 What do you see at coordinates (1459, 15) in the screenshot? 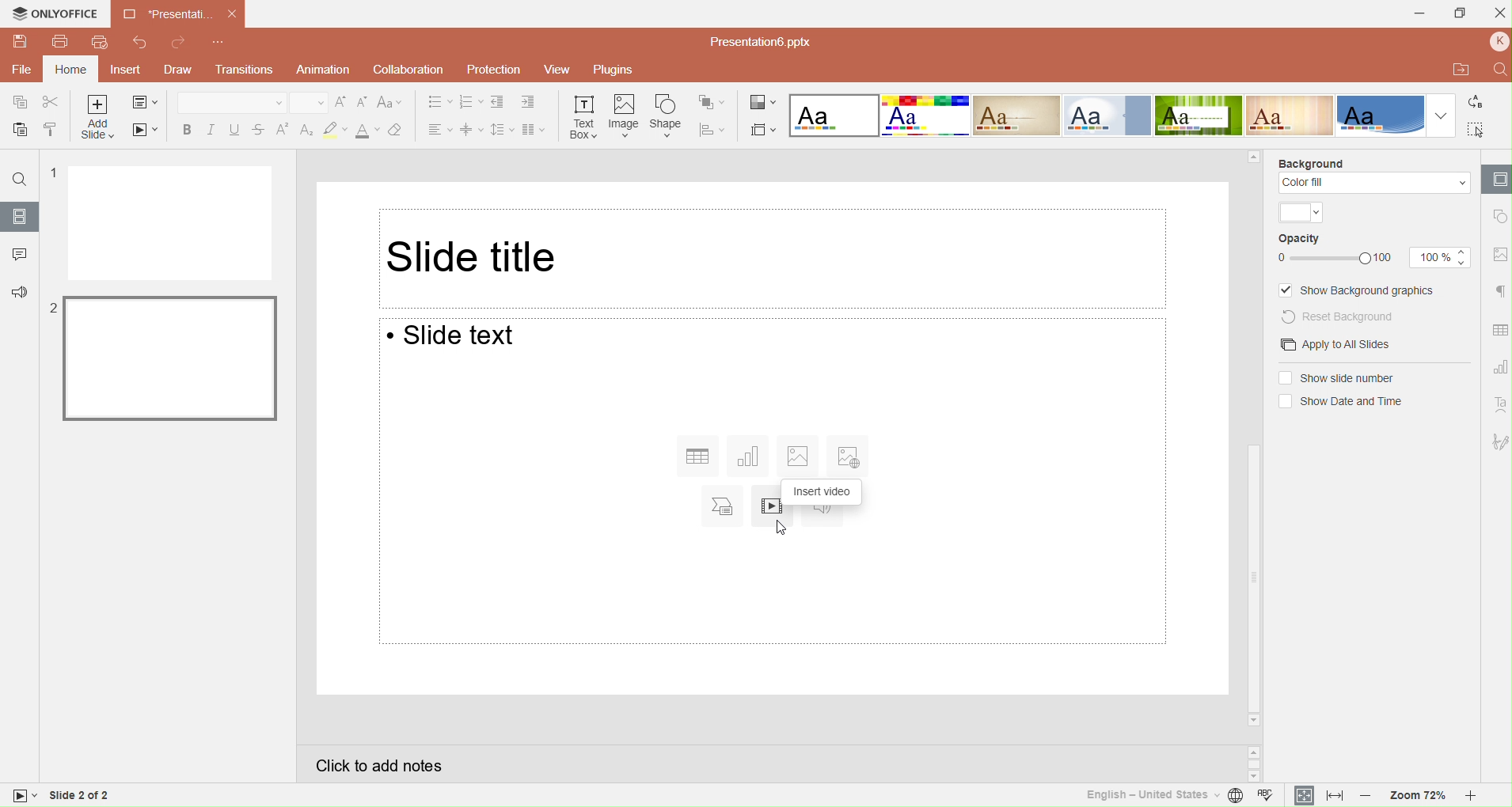
I see `Maximize` at bounding box center [1459, 15].